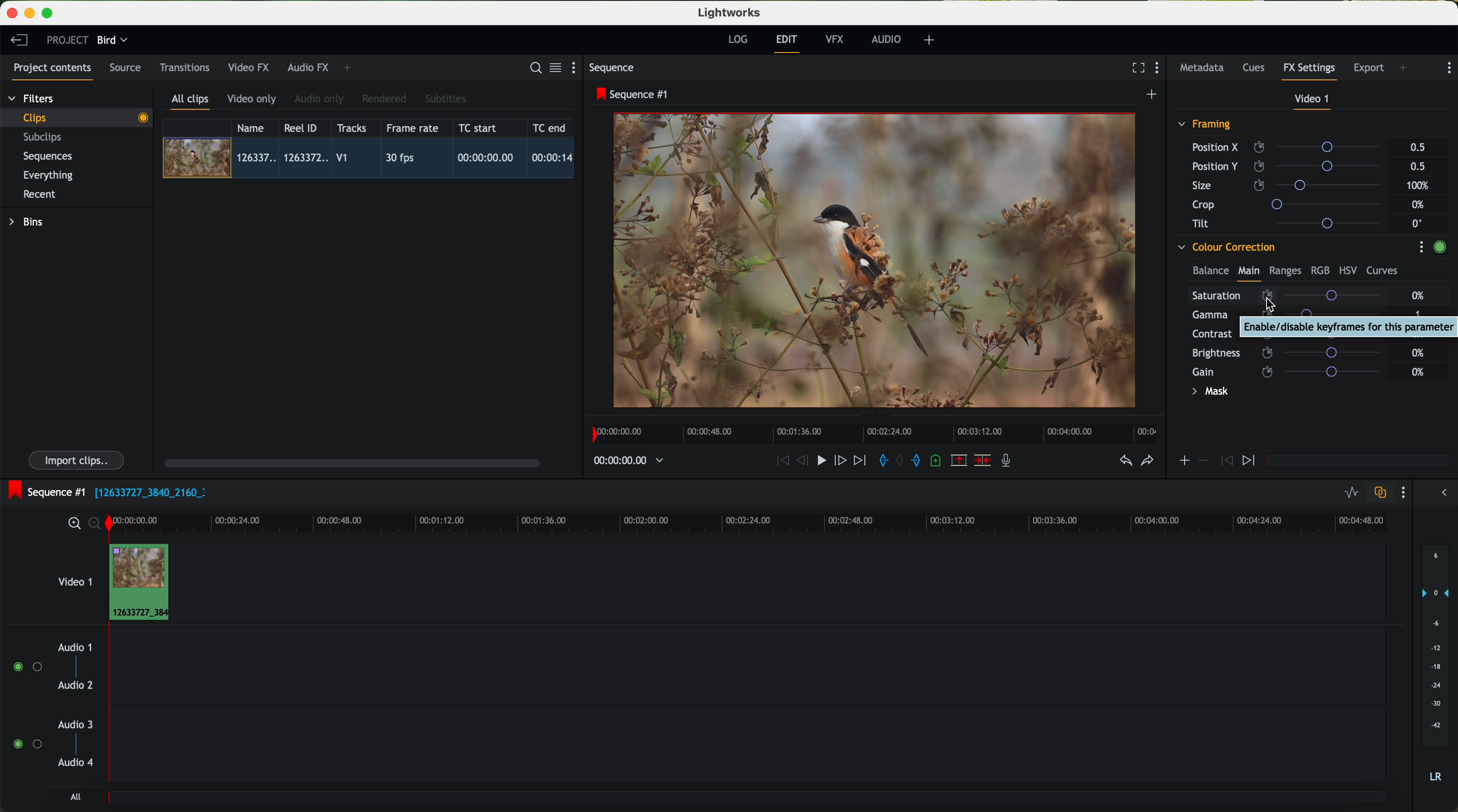 The width and height of the screenshot is (1458, 812). What do you see at coordinates (1346, 326) in the screenshot?
I see `enable/disable keyframes for this patameter` at bounding box center [1346, 326].